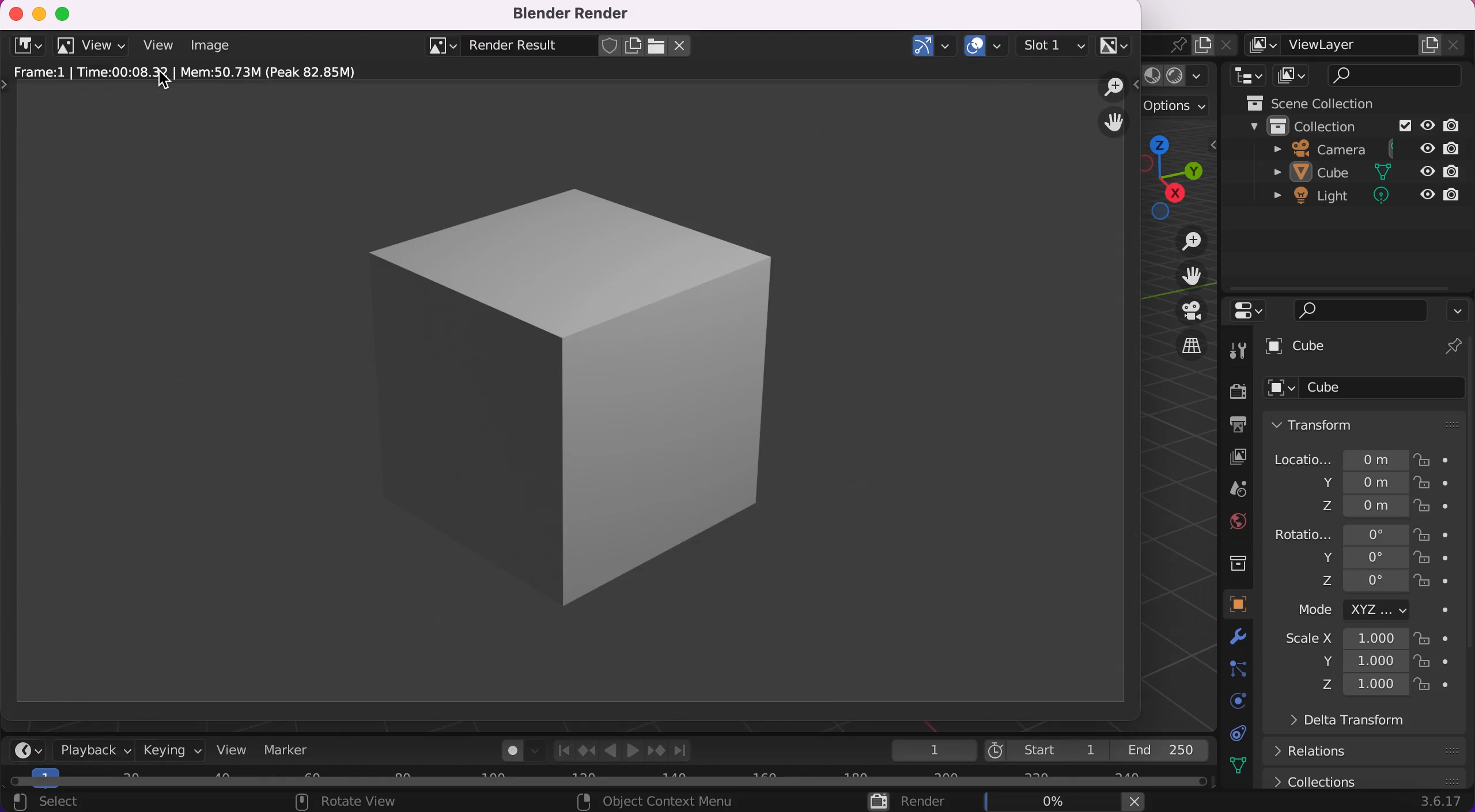 Image resolution: width=1475 pixels, height=812 pixels. Describe the element at coordinates (164, 80) in the screenshot. I see `cursor` at that location.